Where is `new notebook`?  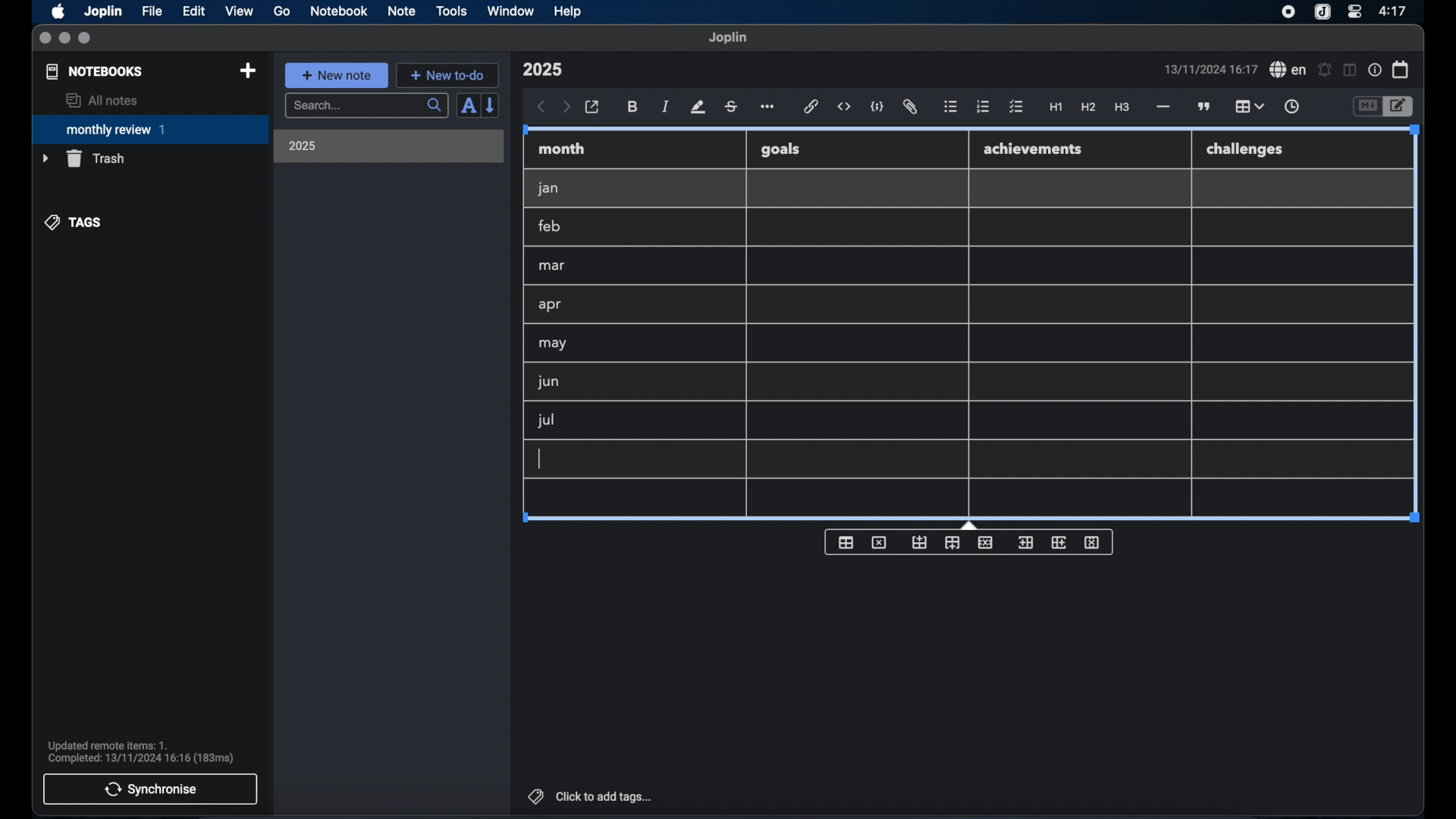 new notebook is located at coordinates (247, 71).